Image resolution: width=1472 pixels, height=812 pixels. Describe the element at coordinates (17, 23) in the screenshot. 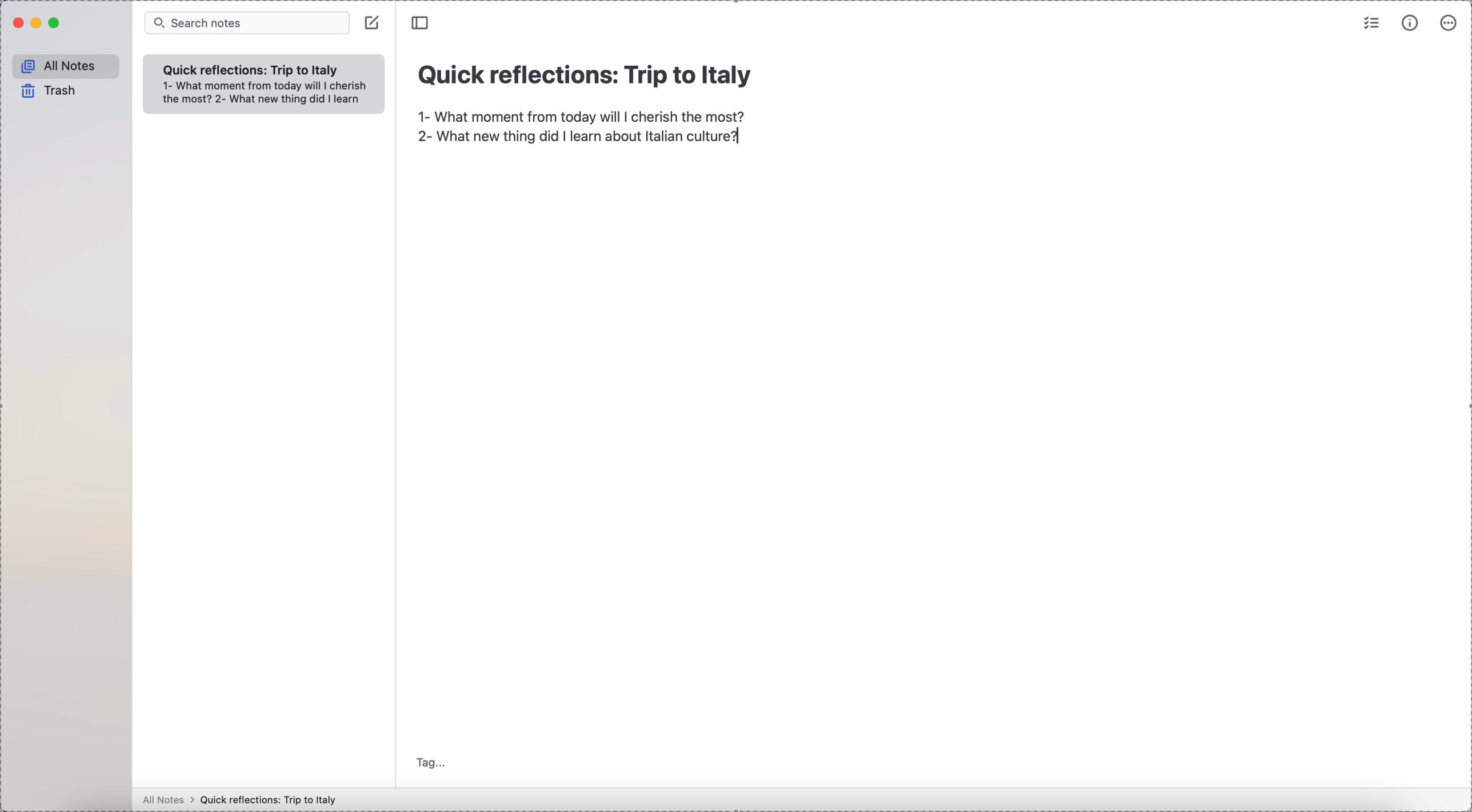

I see `close Simplenote` at that location.